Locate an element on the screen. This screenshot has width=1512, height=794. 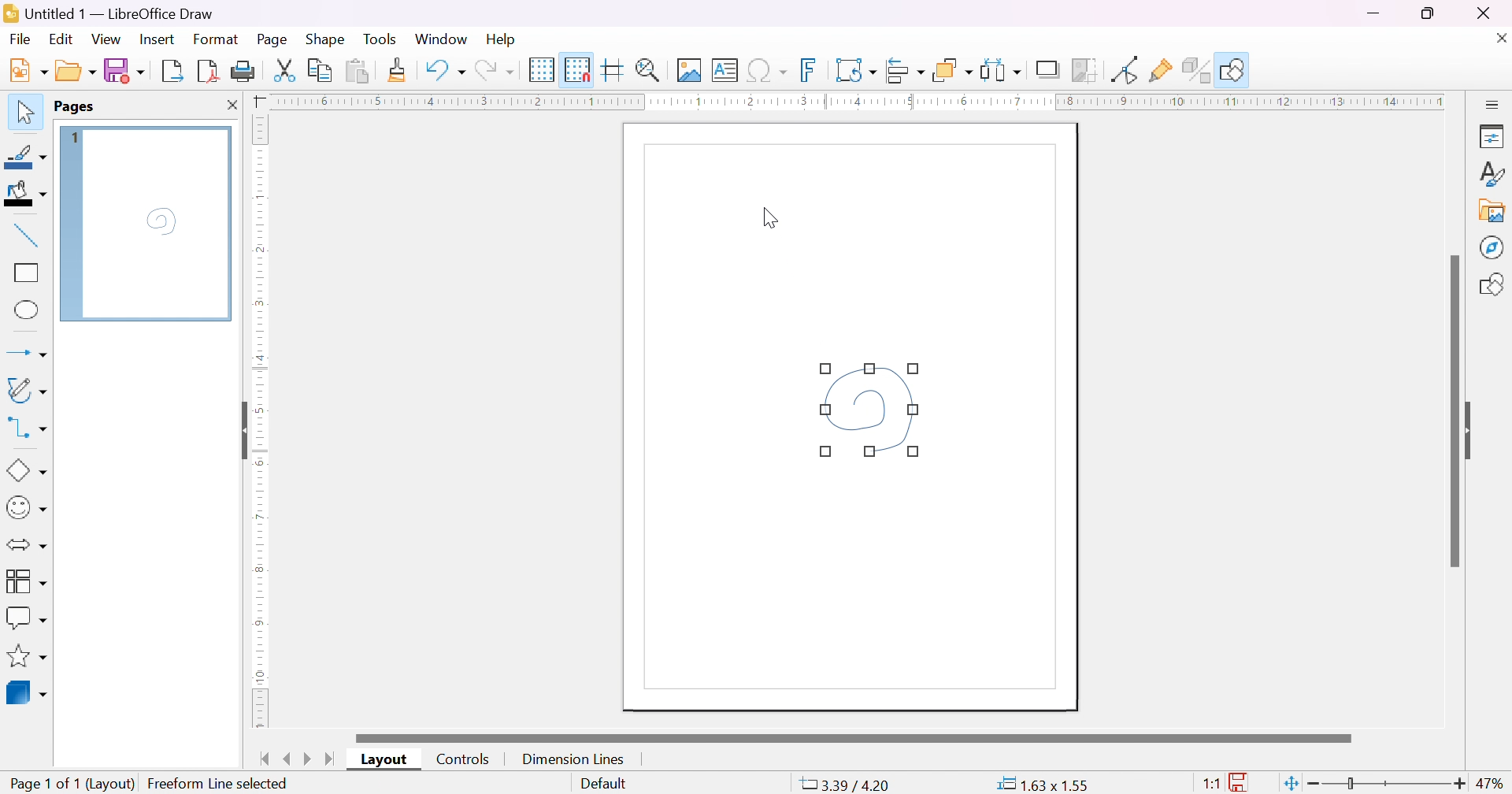
next/previous is located at coordinates (298, 759).